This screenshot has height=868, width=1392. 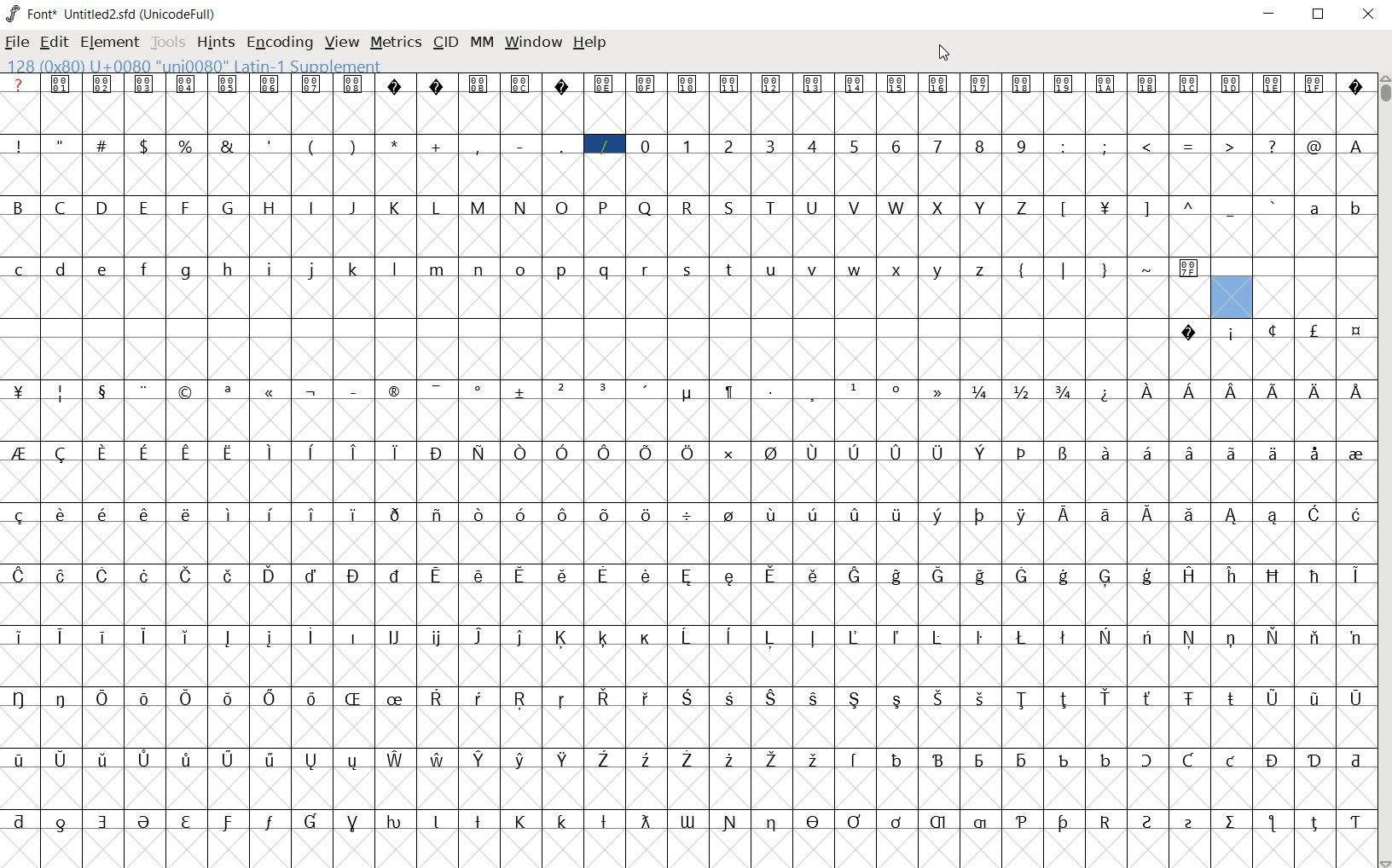 What do you see at coordinates (168, 43) in the screenshot?
I see `TOOLS` at bounding box center [168, 43].